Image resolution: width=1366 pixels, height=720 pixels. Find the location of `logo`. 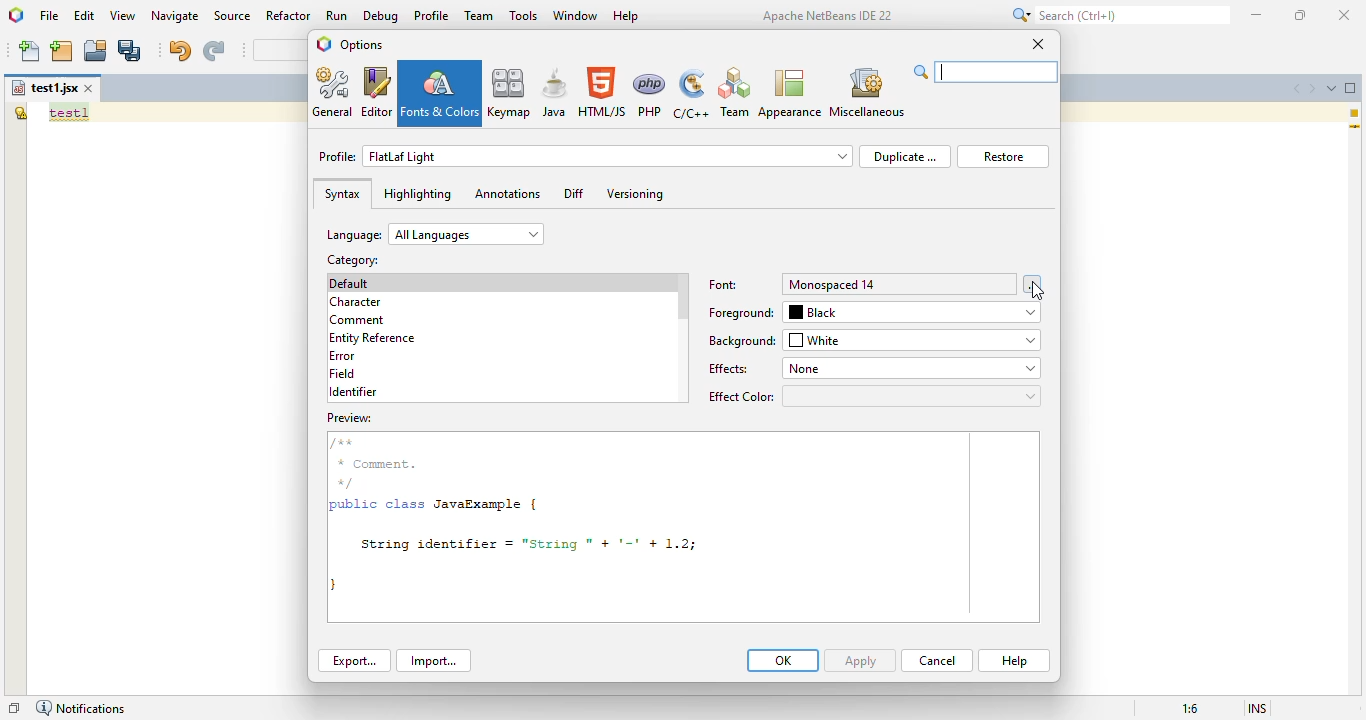

logo is located at coordinates (15, 14).